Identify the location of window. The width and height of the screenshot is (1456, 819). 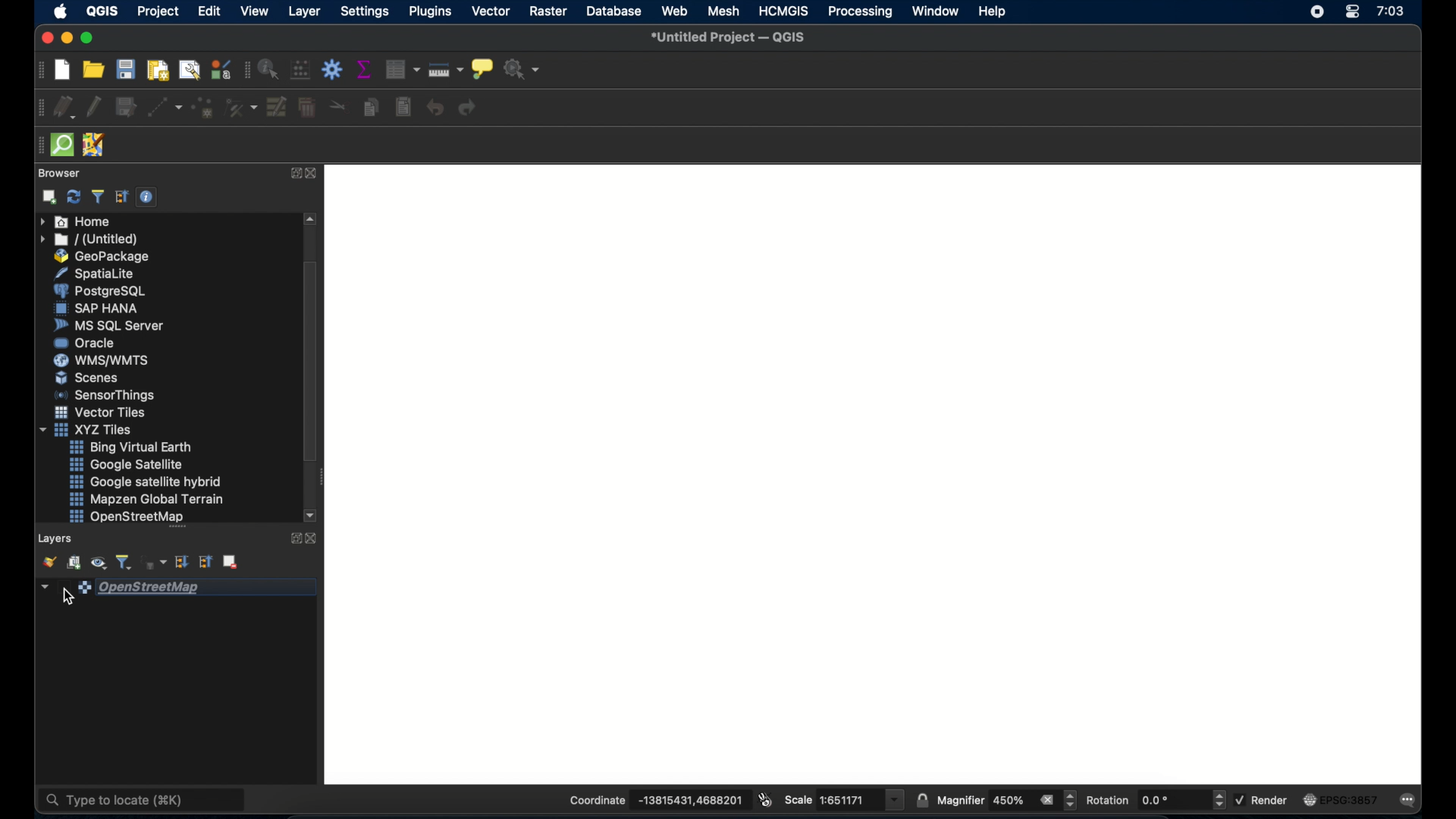
(937, 11).